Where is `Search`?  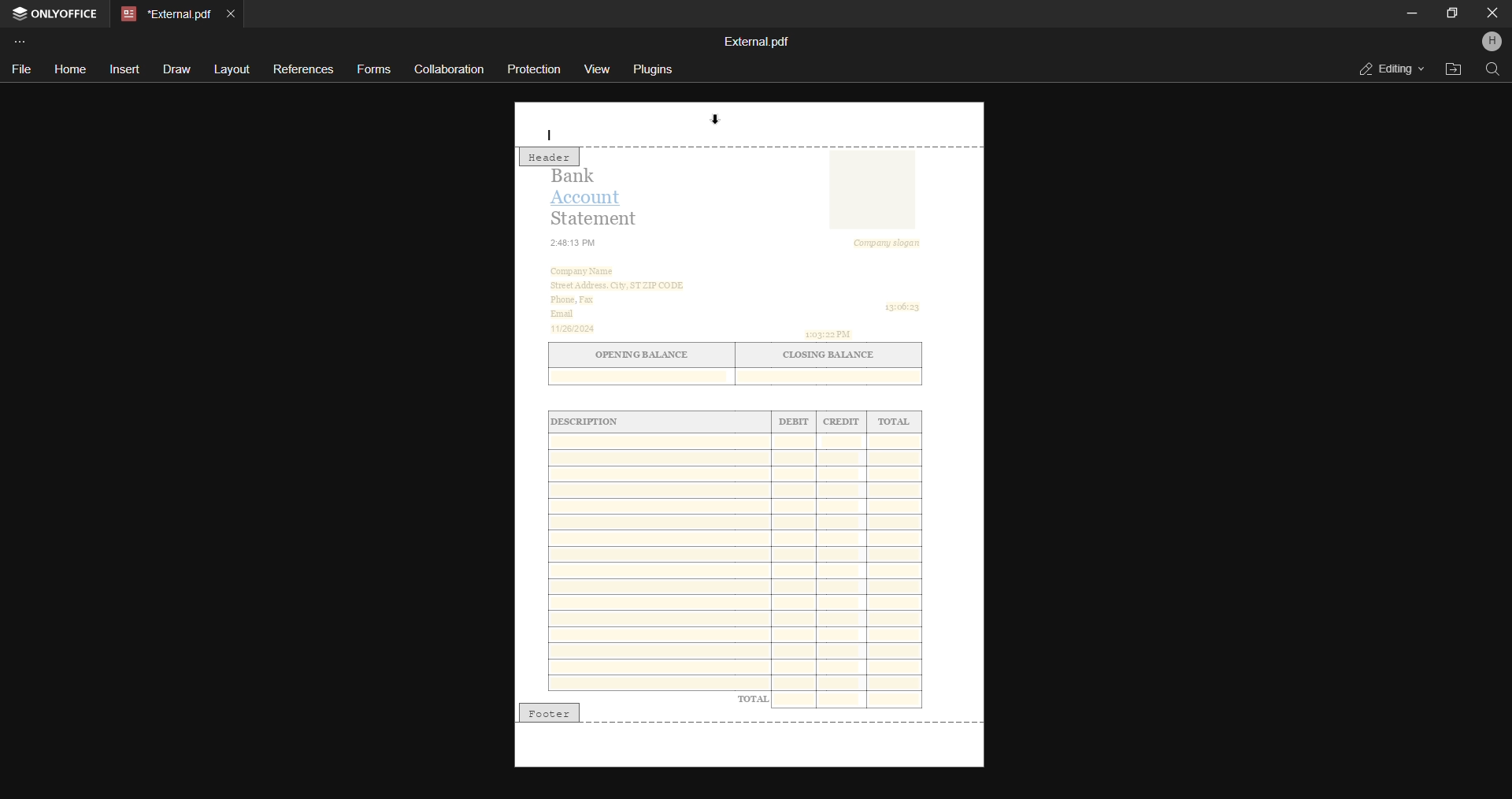 Search is located at coordinates (1492, 69).